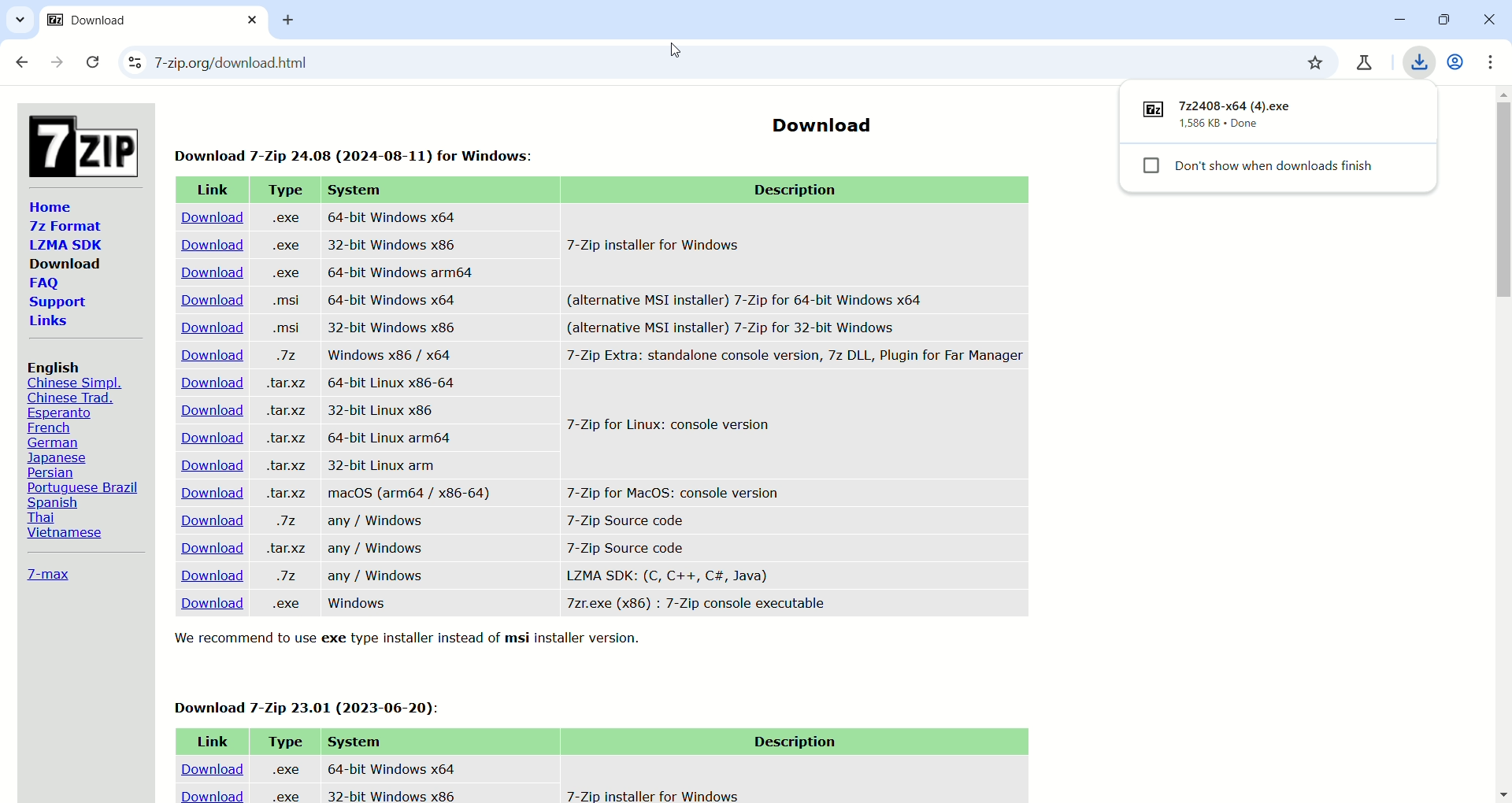 Image resolution: width=1512 pixels, height=803 pixels. Describe the element at coordinates (206, 383) in the screenshot. I see `Download` at that location.